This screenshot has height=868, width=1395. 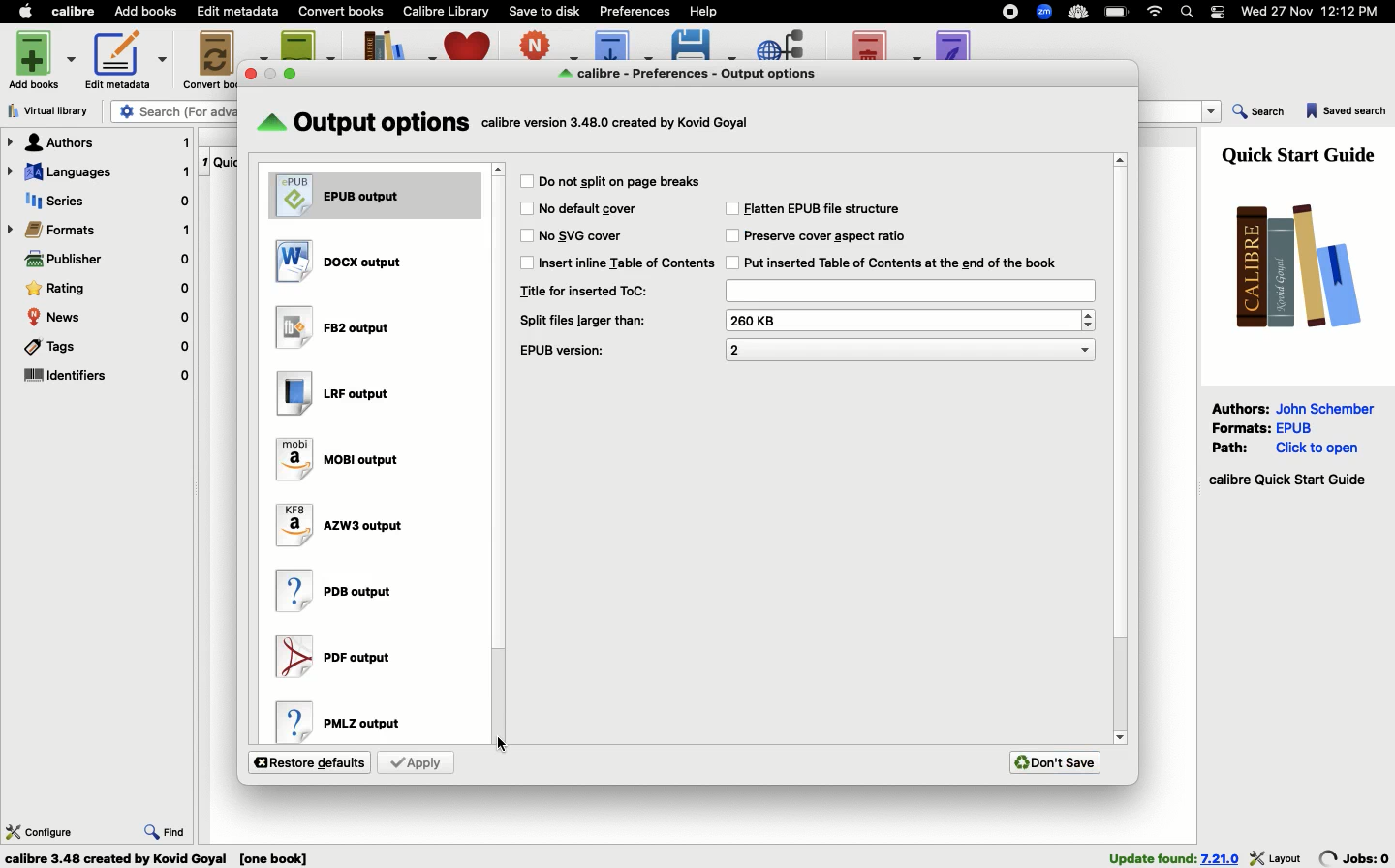 I want to click on Do not split or place breaks, so click(x=623, y=180).